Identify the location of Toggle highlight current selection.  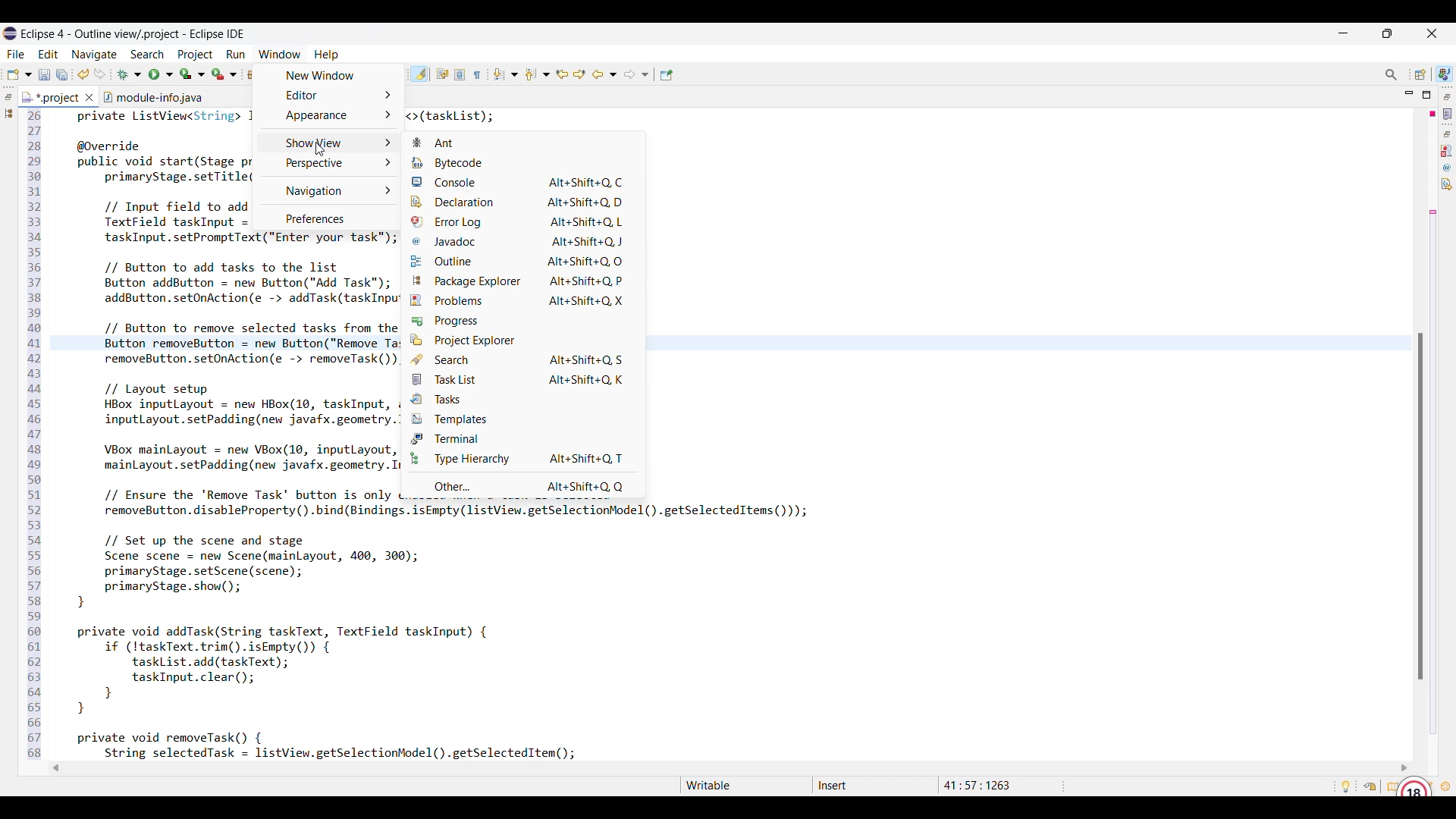
(419, 74).